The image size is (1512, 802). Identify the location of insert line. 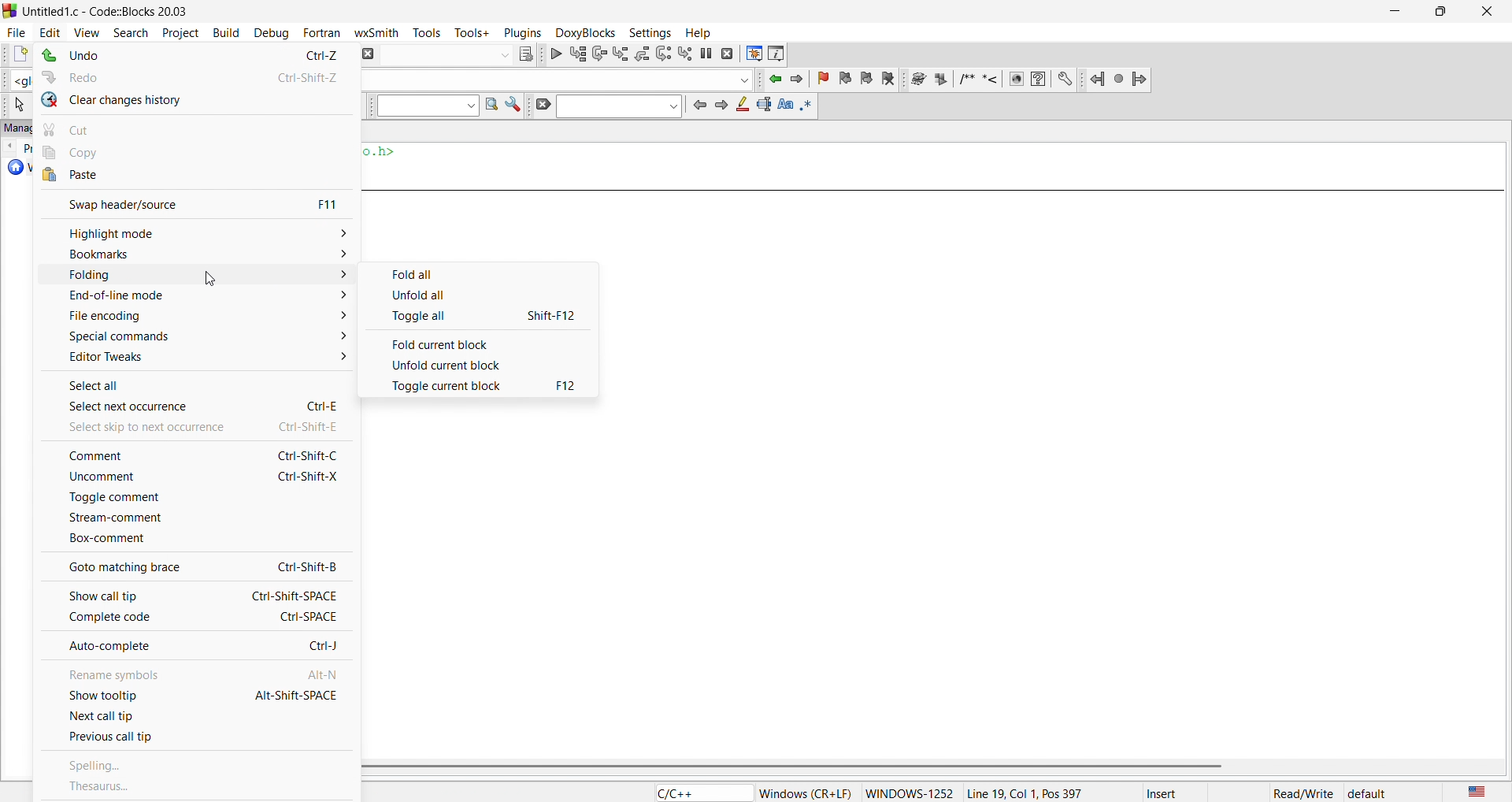
(993, 79).